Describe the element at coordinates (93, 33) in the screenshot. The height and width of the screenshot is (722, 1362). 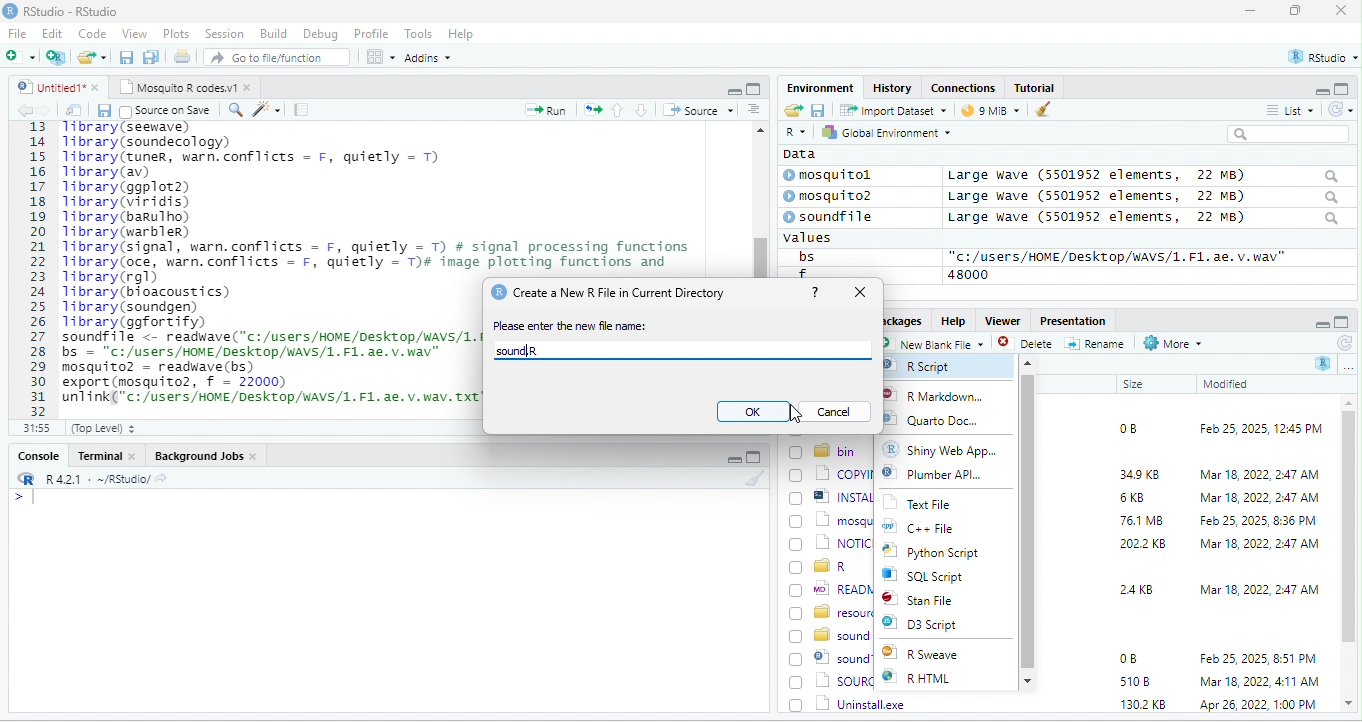
I see `Code` at that location.